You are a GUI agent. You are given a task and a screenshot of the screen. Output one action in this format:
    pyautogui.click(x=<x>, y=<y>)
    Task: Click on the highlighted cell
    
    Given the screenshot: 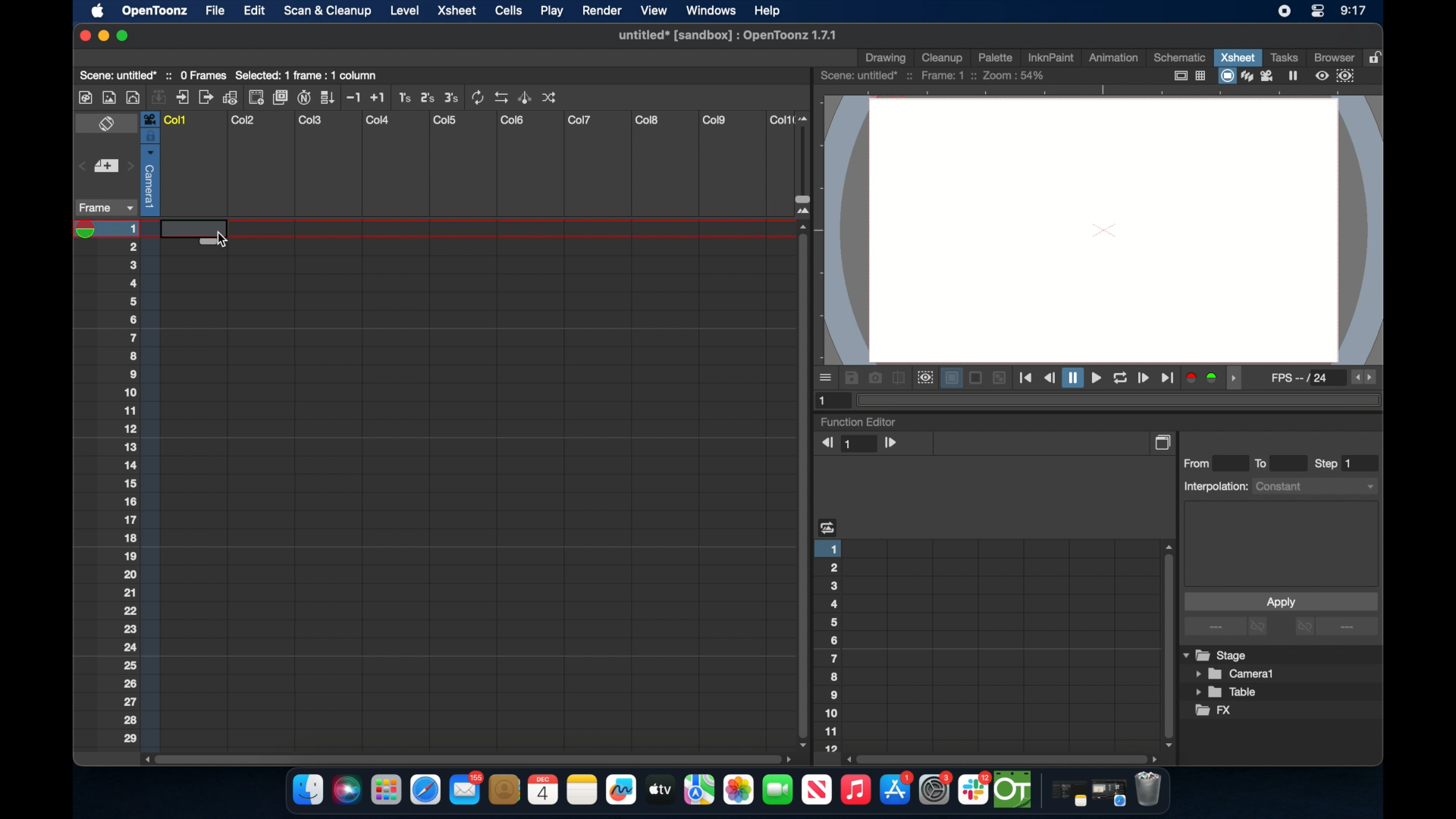 What is the action you would take?
    pyautogui.click(x=177, y=232)
    